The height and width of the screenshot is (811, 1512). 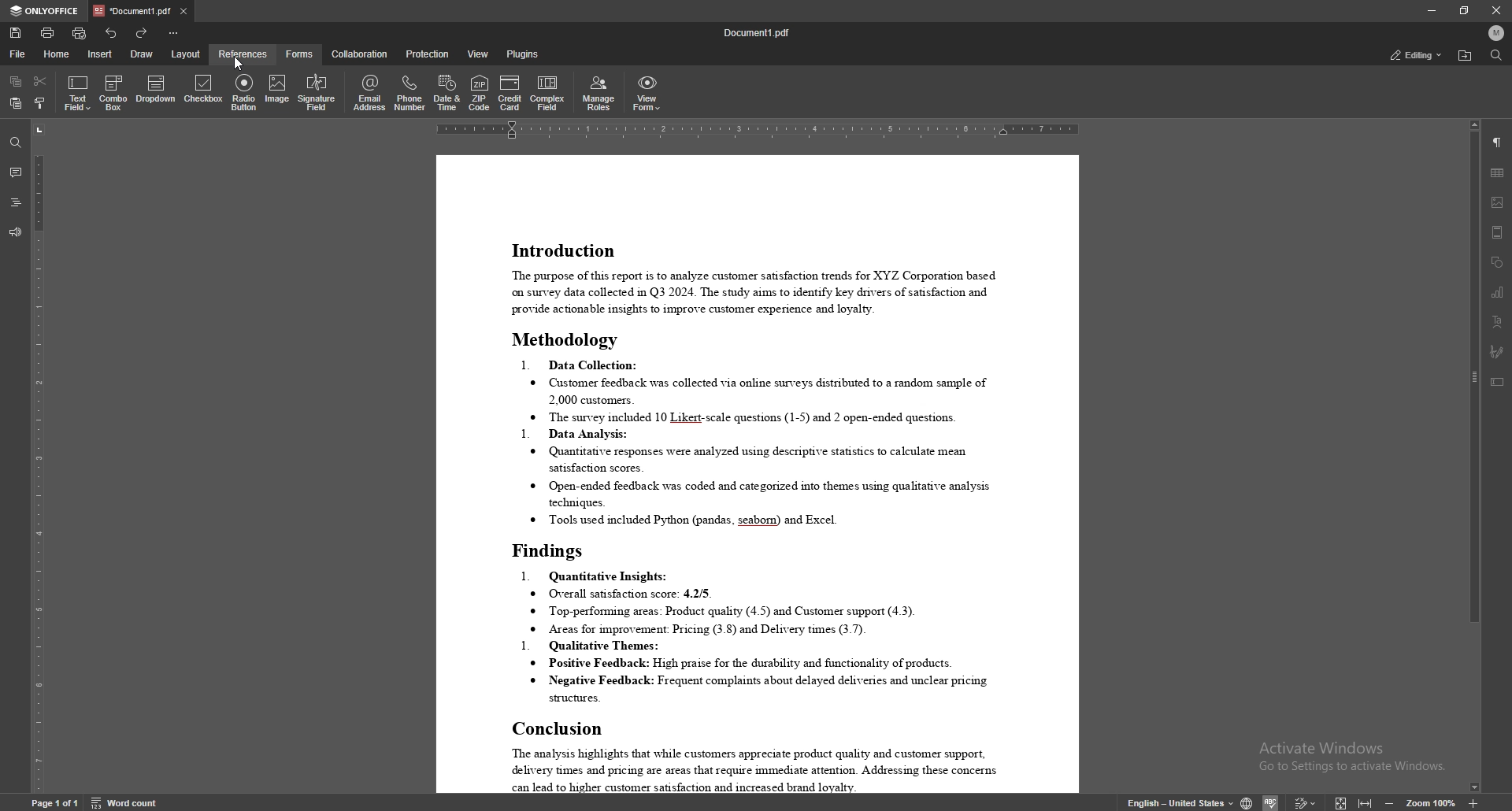 What do you see at coordinates (1498, 202) in the screenshot?
I see `image` at bounding box center [1498, 202].